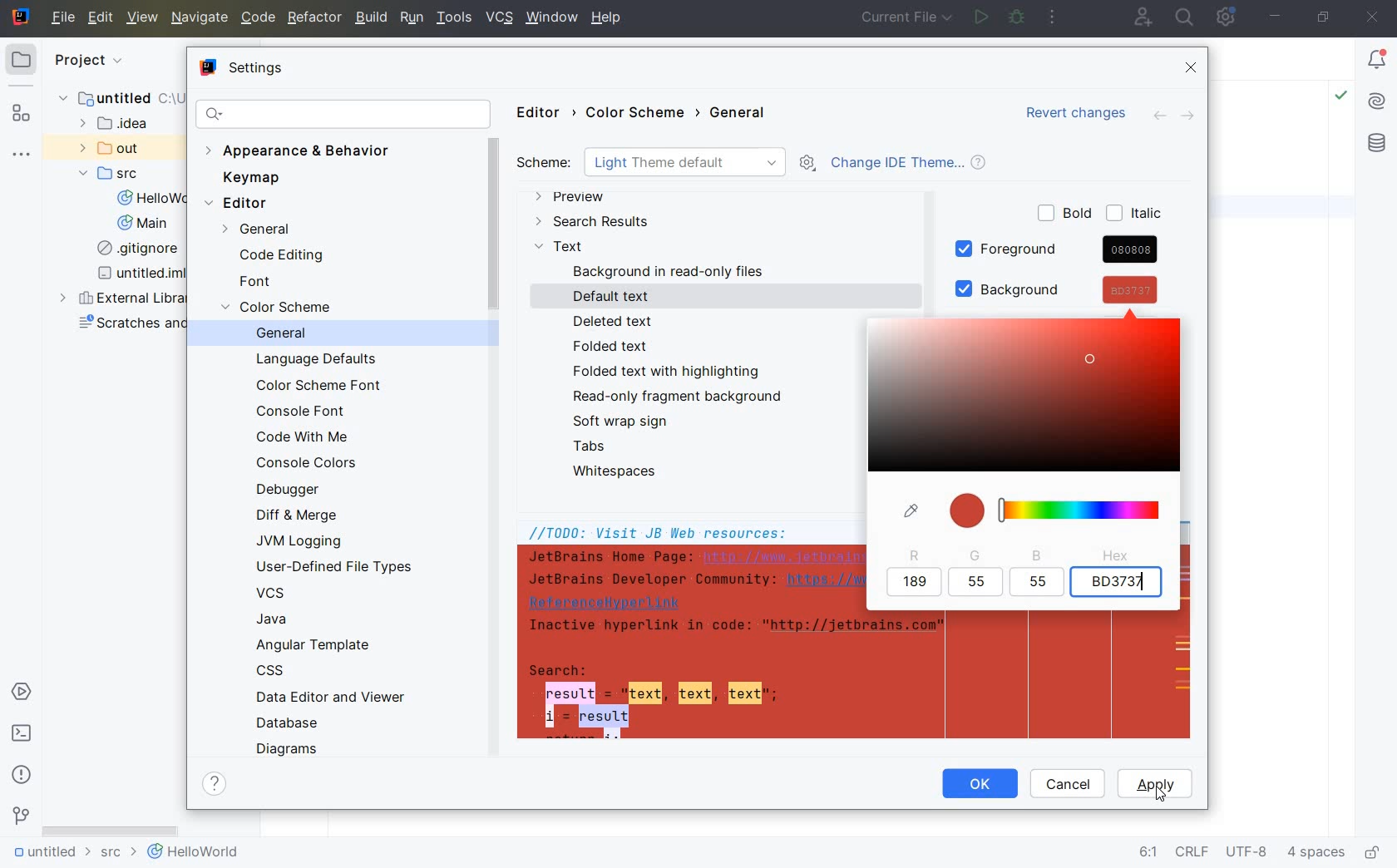  What do you see at coordinates (275, 673) in the screenshot?
I see `CSS` at bounding box center [275, 673].